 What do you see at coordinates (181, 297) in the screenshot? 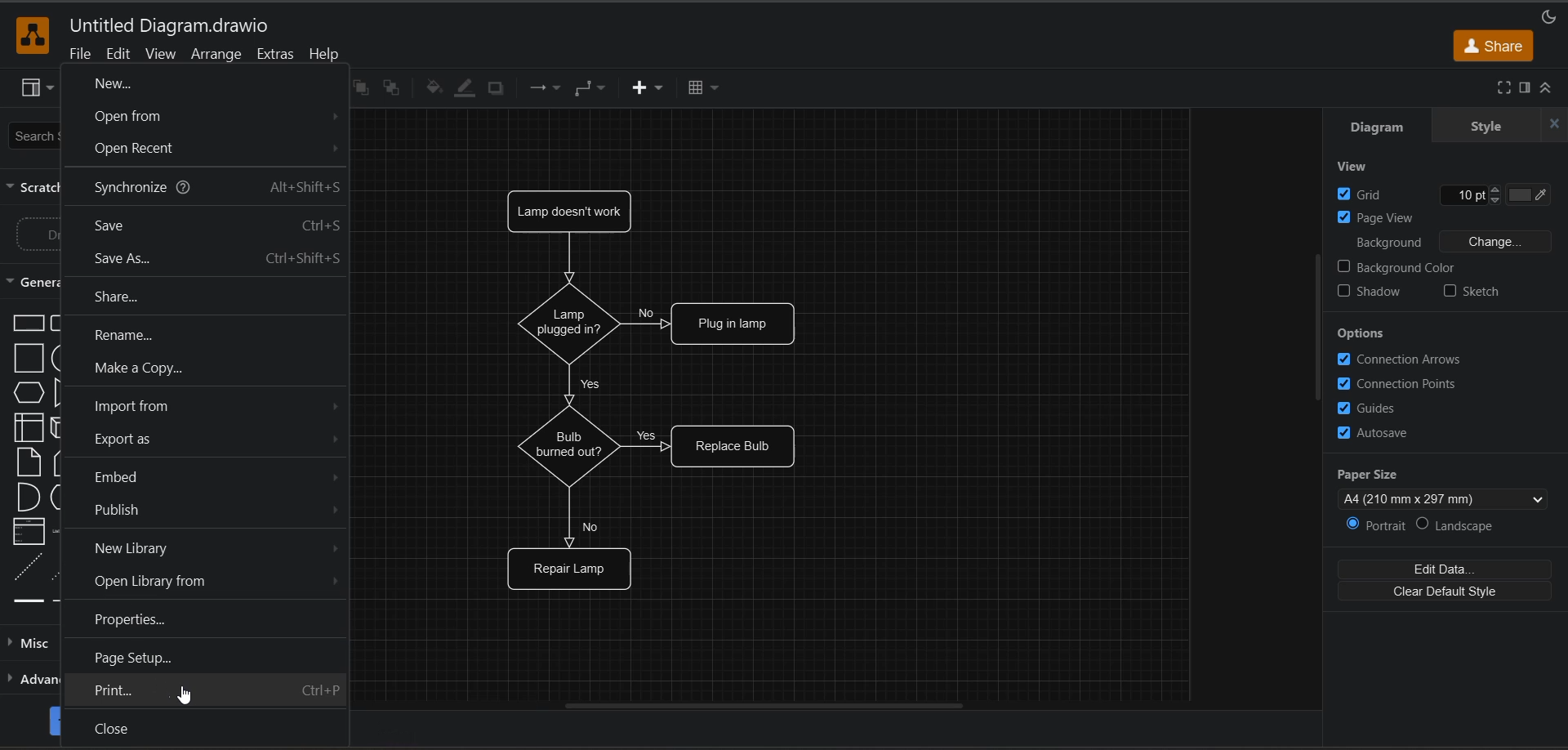
I see `share` at bounding box center [181, 297].